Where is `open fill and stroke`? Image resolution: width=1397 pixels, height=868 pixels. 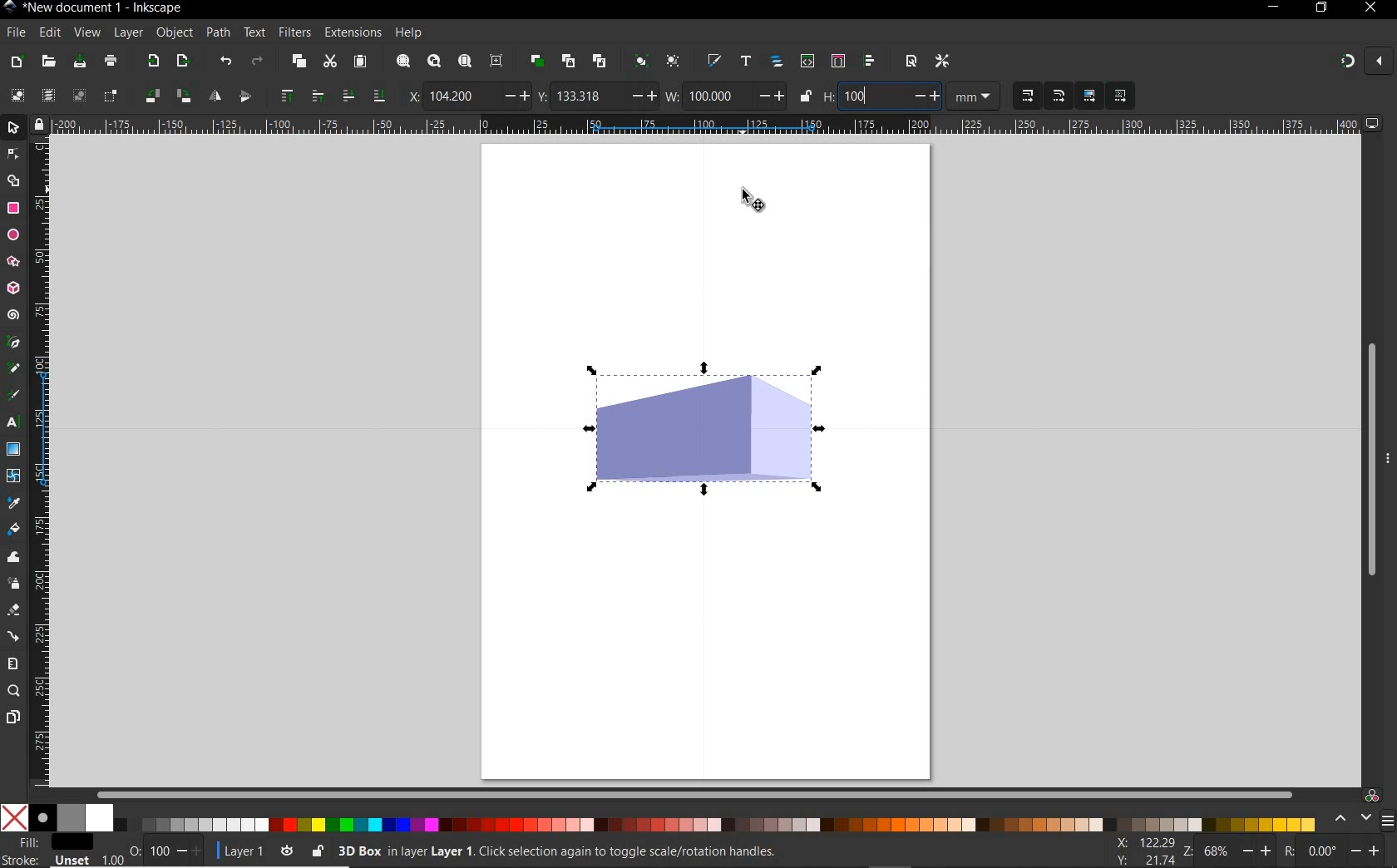
open fill and stroke is located at coordinates (713, 61).